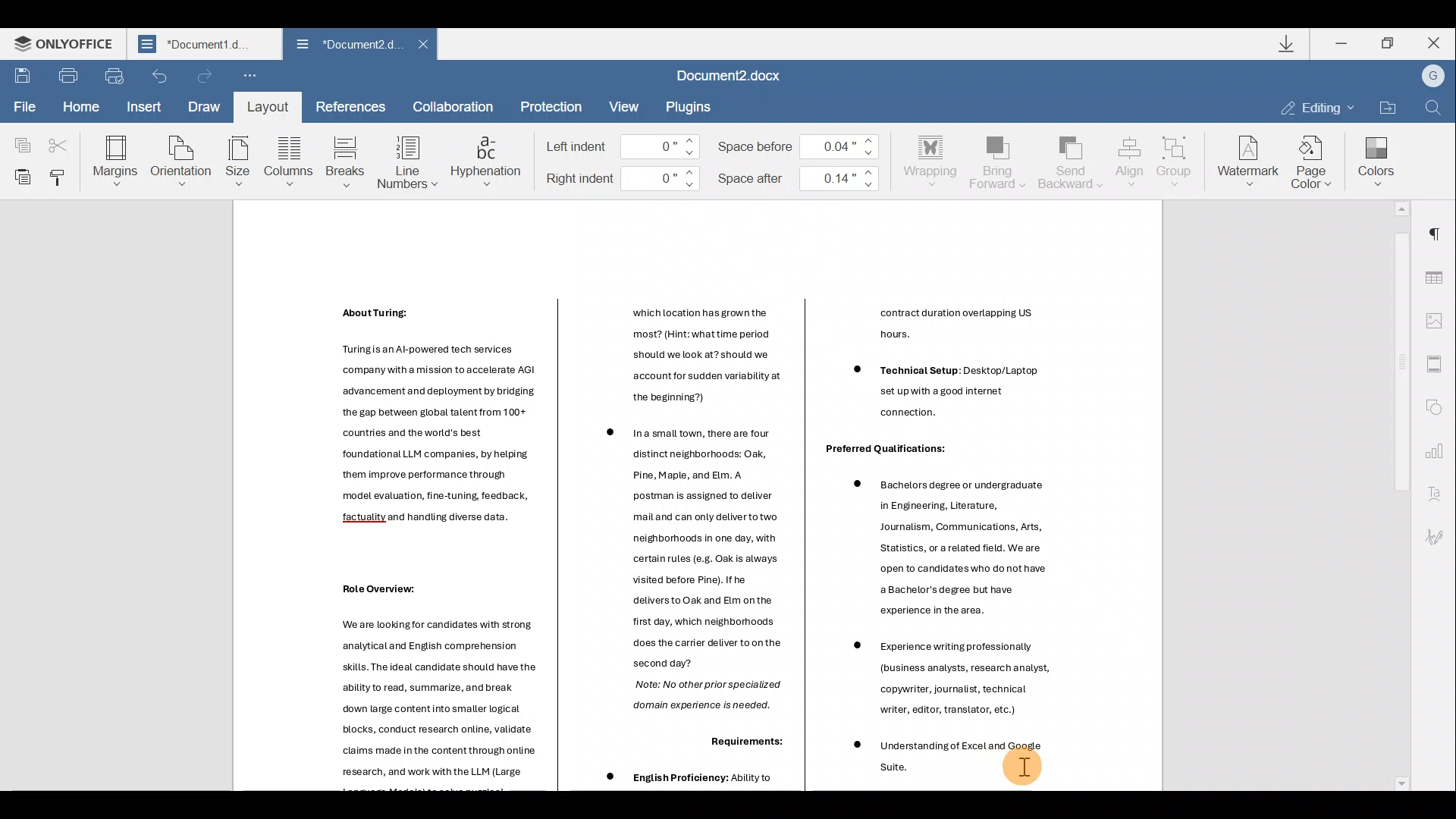  What do you see at coordinates (1439, 272) in the screenshot?
I see `Table settings` at bounding box center [1439, 272].